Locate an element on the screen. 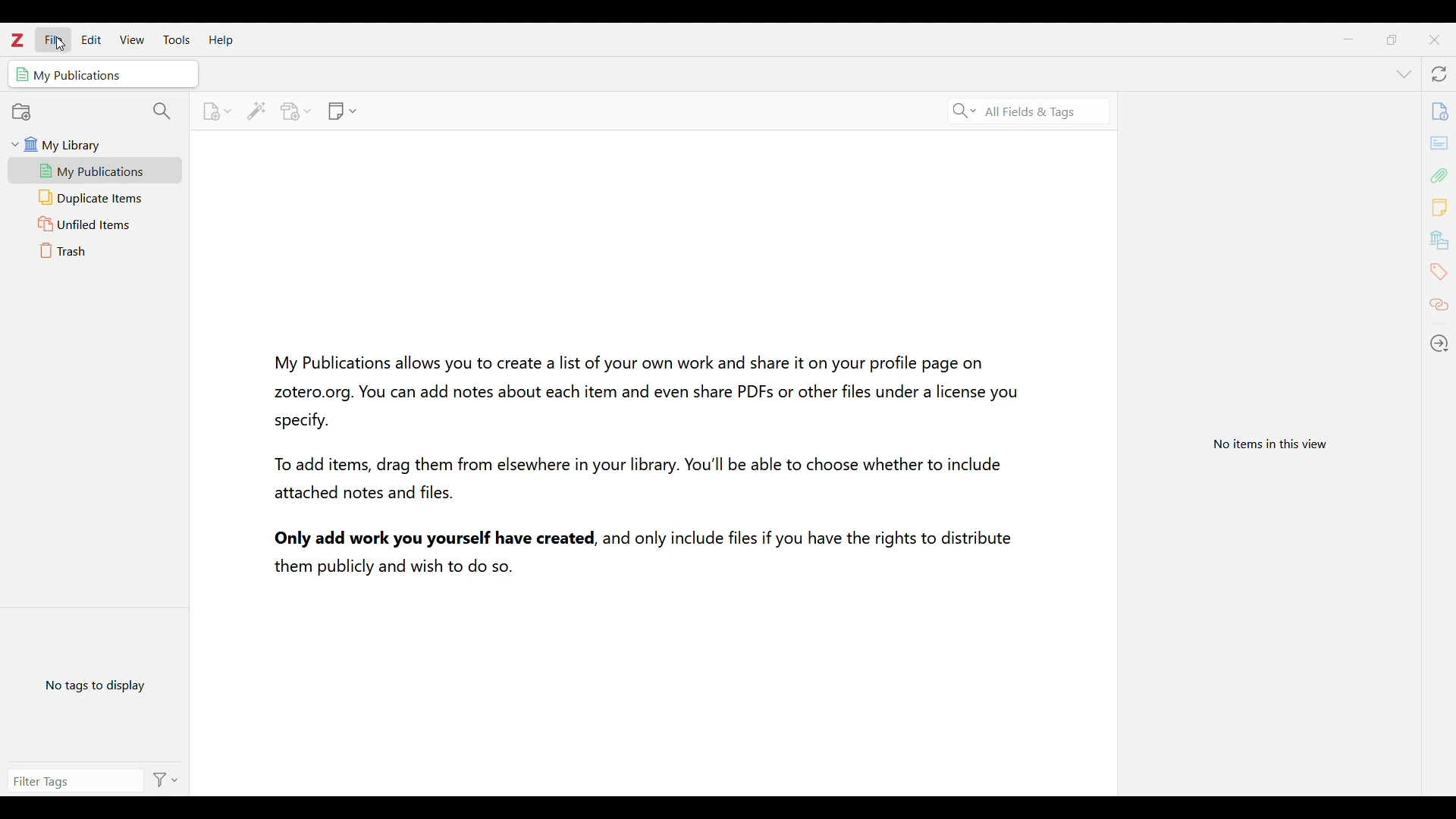  Tools is located at coordinates (177, 39).